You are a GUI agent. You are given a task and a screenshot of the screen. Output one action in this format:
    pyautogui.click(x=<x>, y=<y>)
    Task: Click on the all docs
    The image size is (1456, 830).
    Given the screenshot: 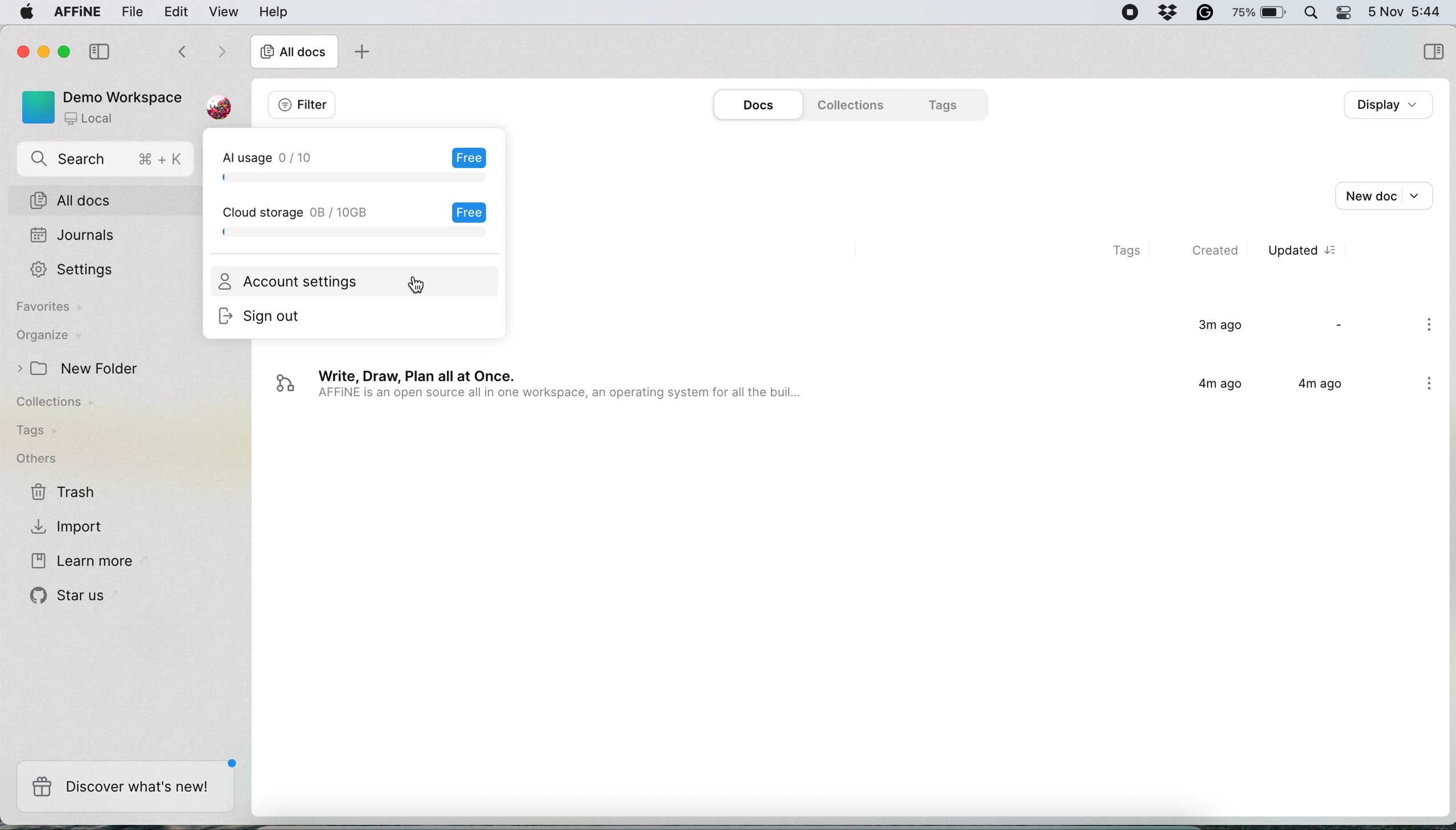 What is the action you would take?
    pyautogui.click(x=294, y=54)
    